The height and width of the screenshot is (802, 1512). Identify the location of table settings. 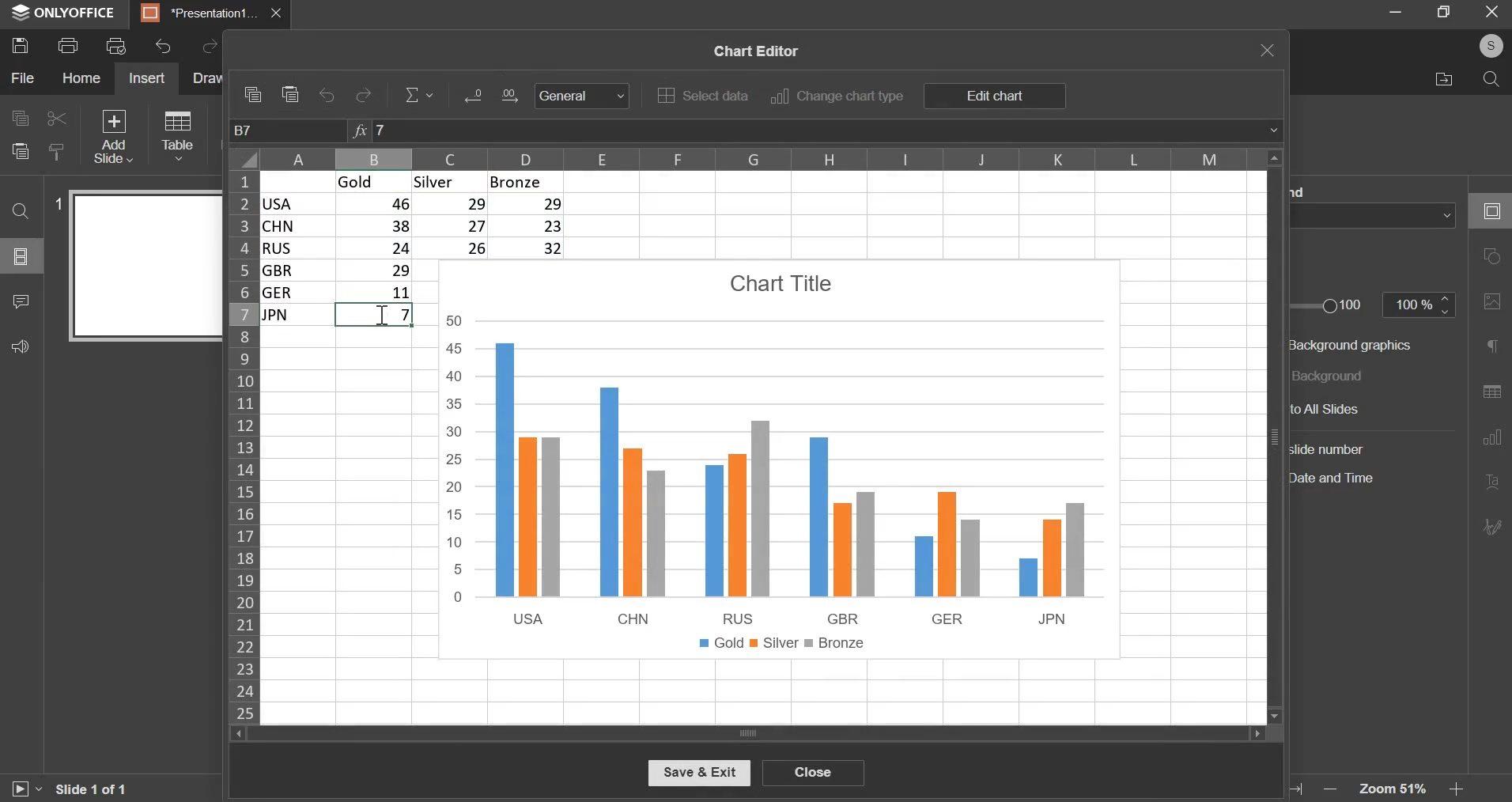
(1489, 394).